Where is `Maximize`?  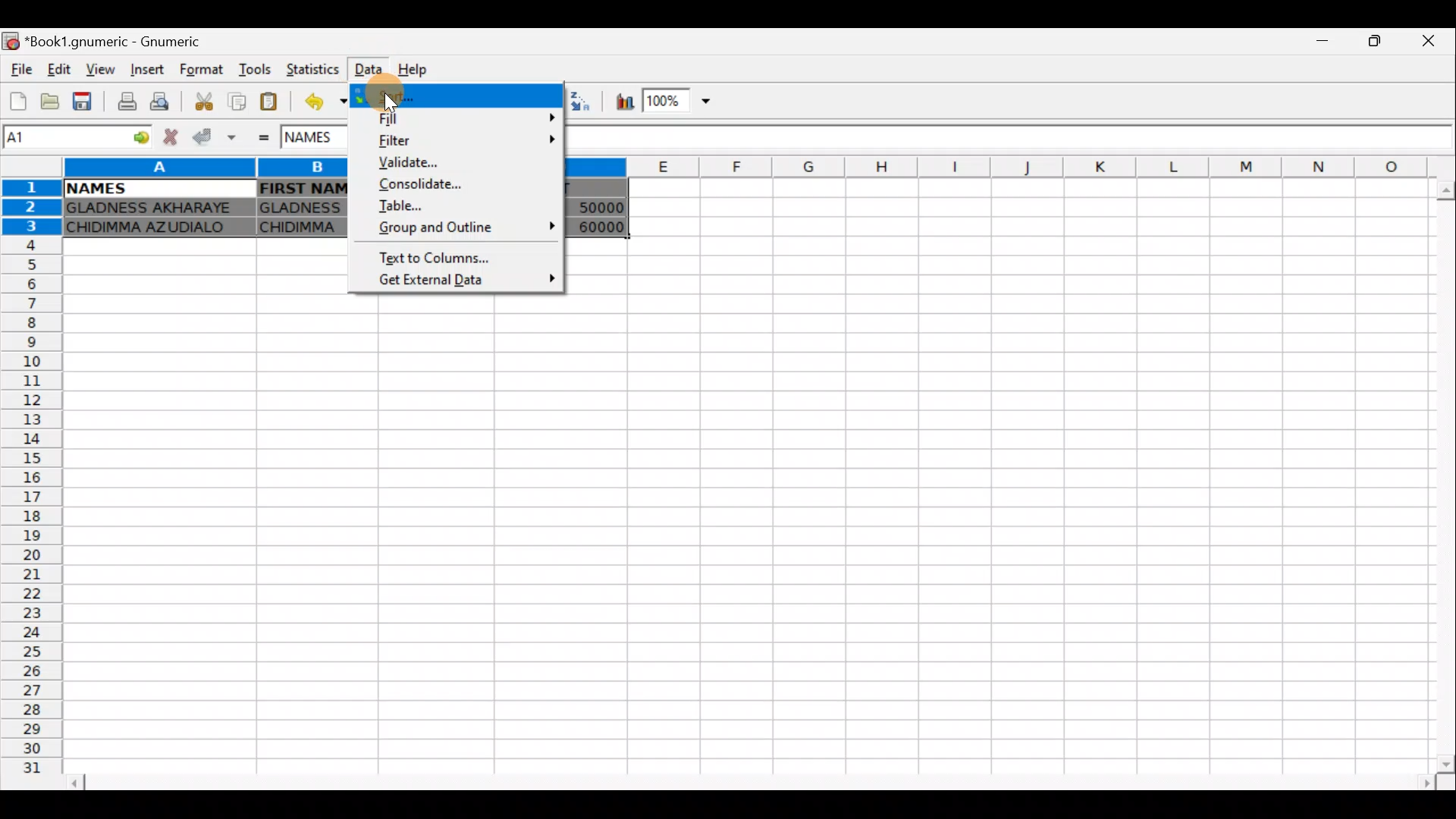
Maximize is located at coordinates (1379, 42).